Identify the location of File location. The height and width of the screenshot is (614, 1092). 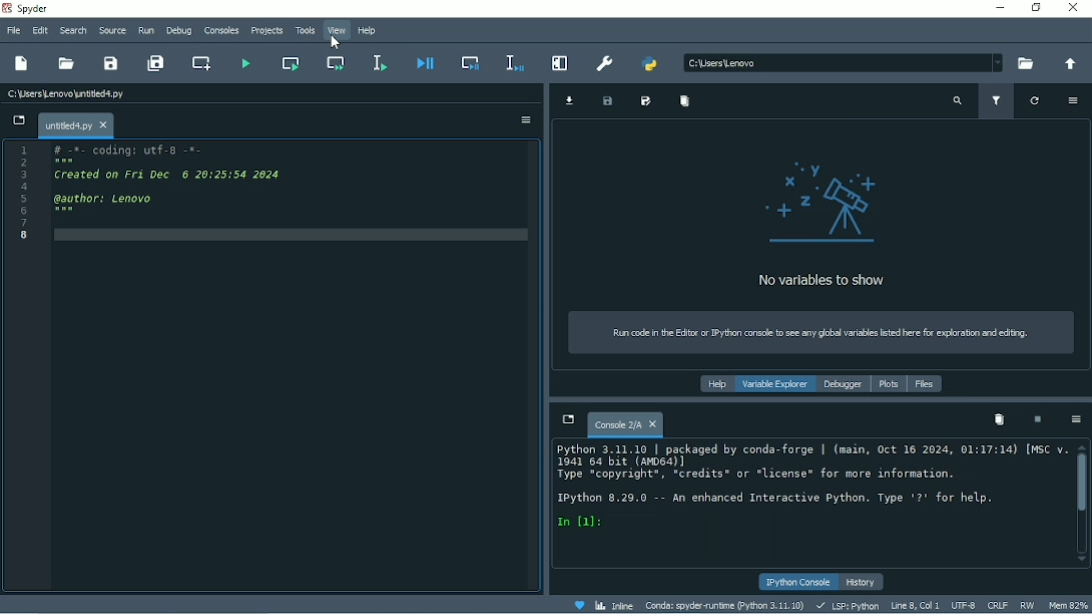
(840, 63).